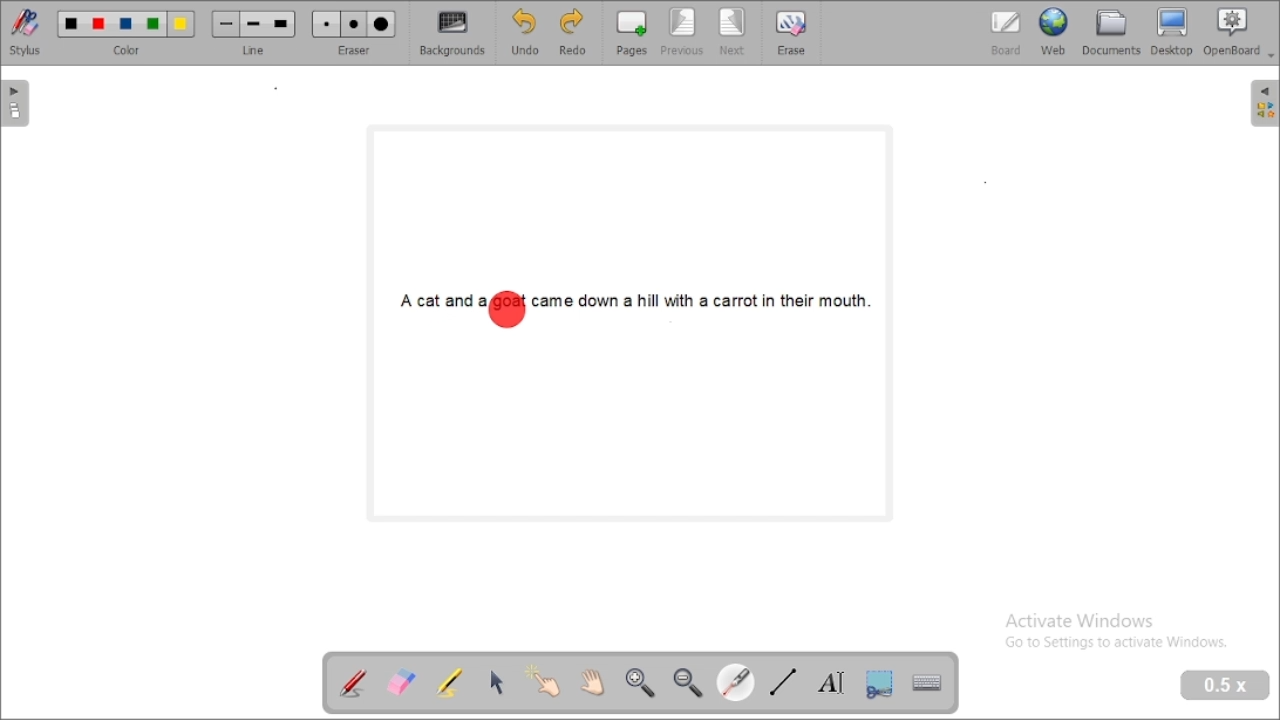 The height and width of the screenshot is (720, 1280). I want to click on stylus, so click(26, 33).